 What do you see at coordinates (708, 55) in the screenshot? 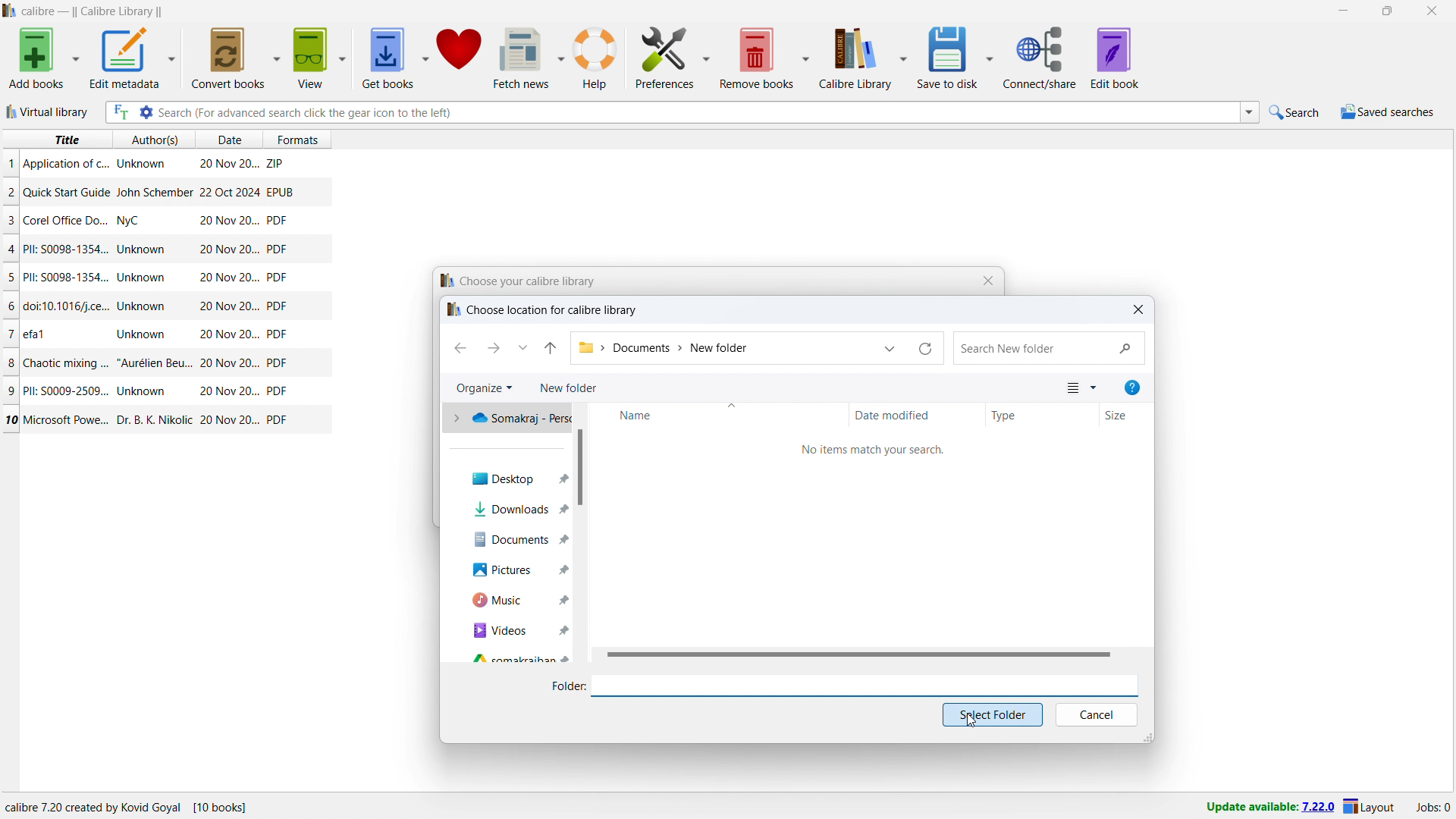
I see `preferences options` at bounding box center [708, 55].